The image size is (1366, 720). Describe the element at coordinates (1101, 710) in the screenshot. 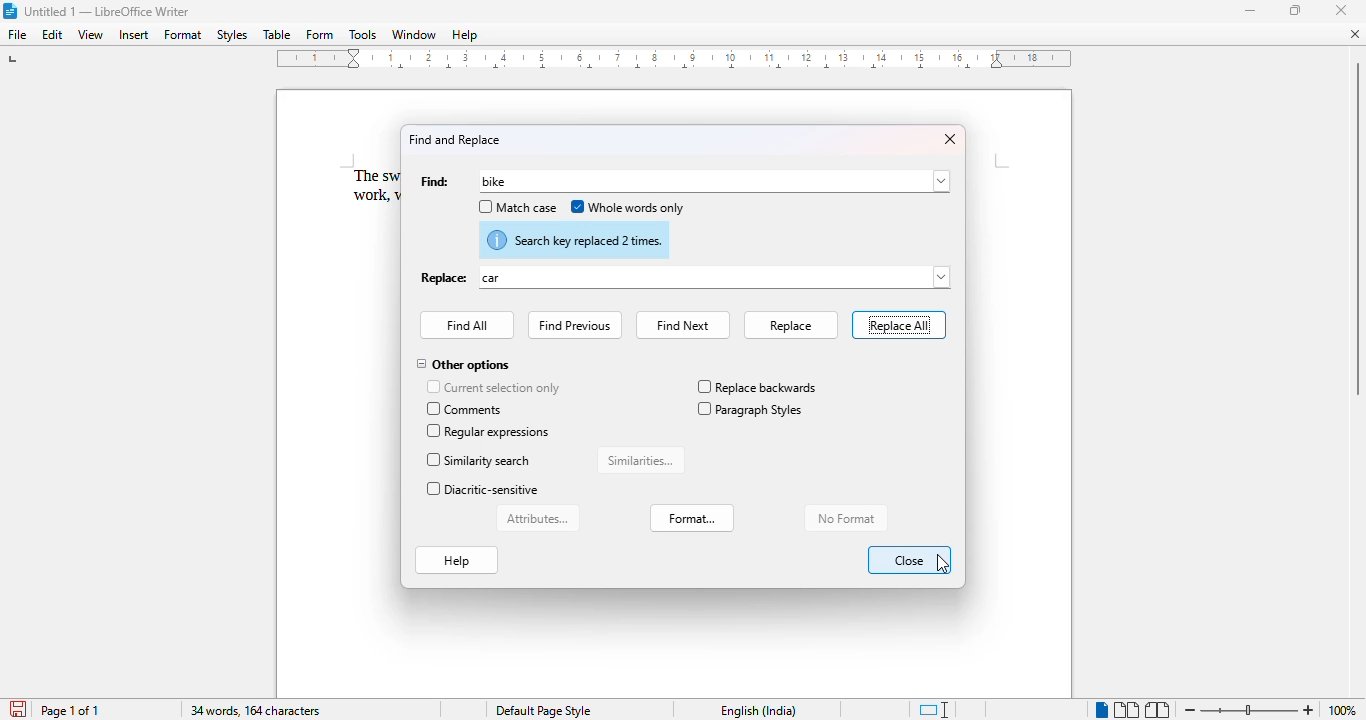

I see `single-page view` at that location.